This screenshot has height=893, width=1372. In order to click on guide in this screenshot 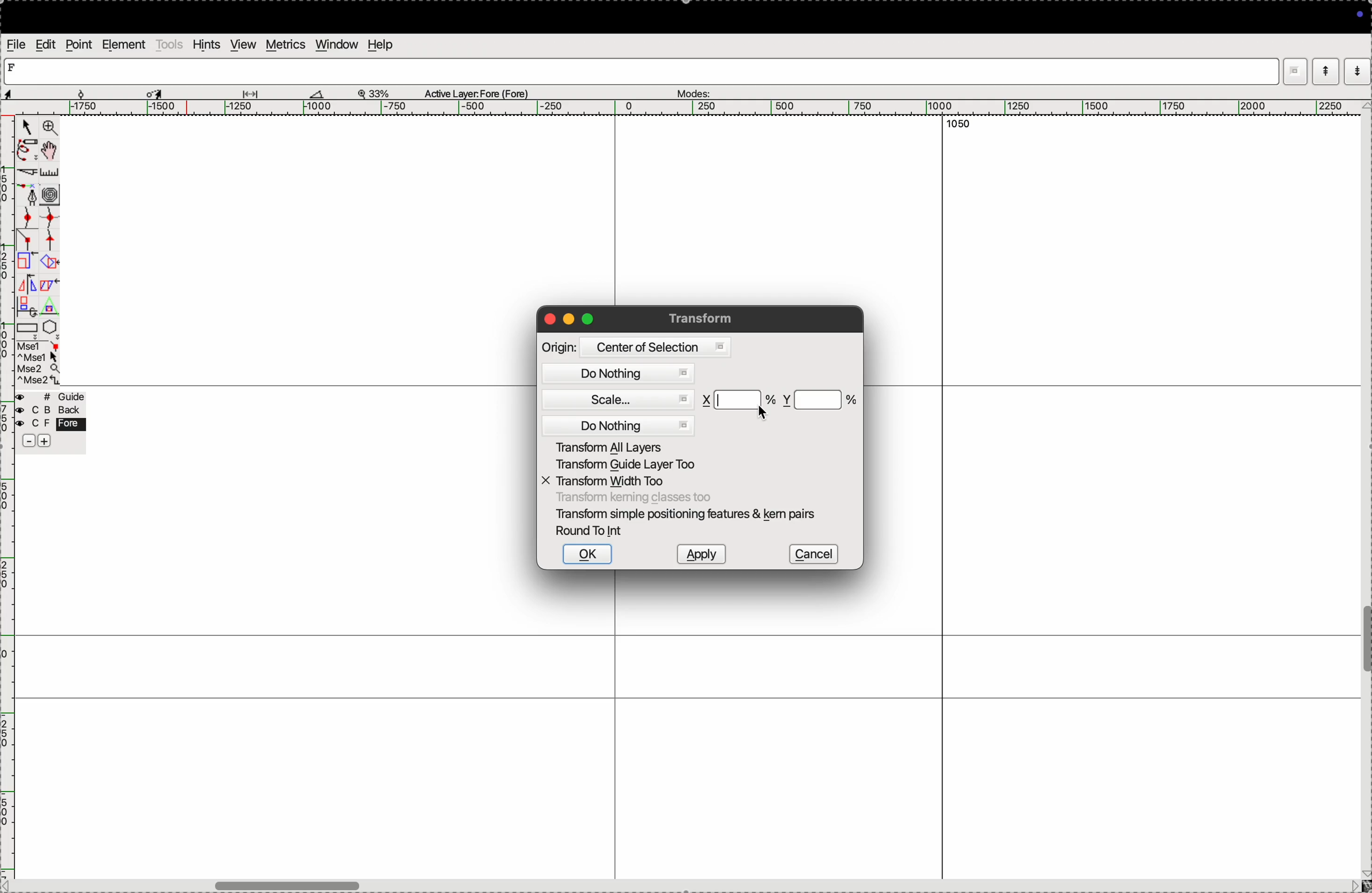, I will do `click(54, 397)`.